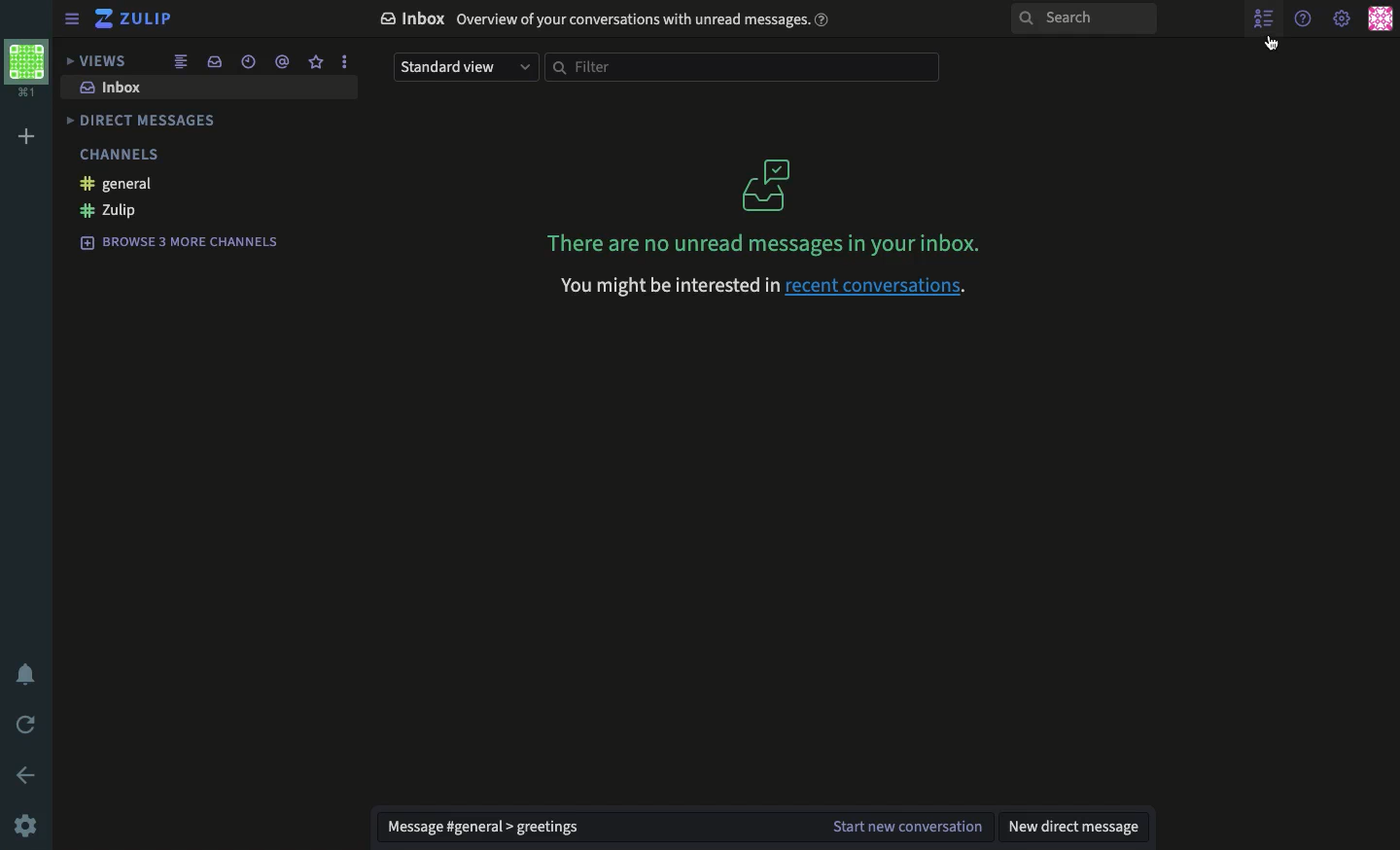 The height and width of the screenshot is (850, 1400). Describe the element at coordinates (1260, 18) in the screenshot. I see `show user list` at that location.